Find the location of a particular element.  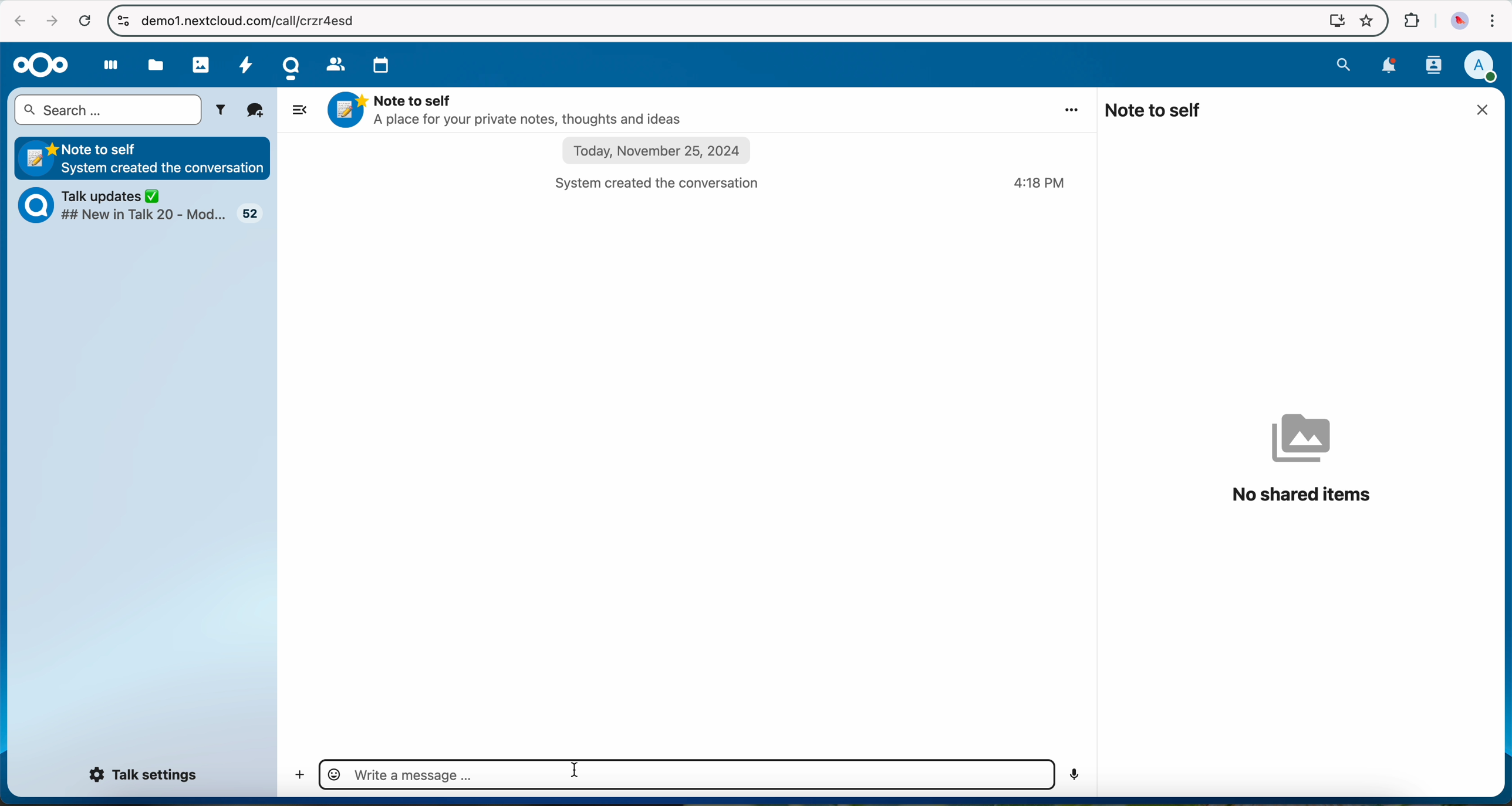

new conversation is located at coordinates (256, 111).